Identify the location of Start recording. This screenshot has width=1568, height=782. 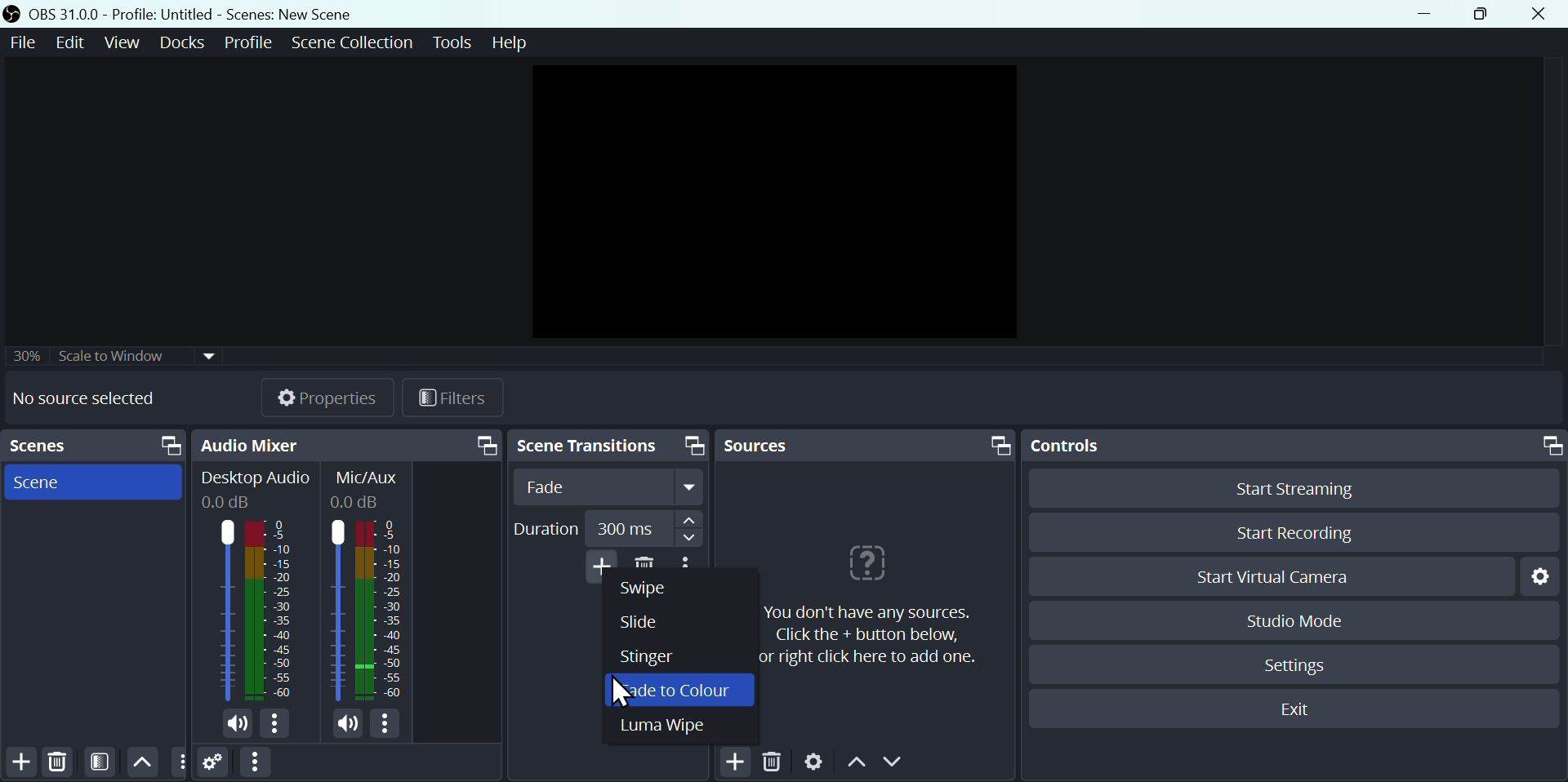
(1291, 535).